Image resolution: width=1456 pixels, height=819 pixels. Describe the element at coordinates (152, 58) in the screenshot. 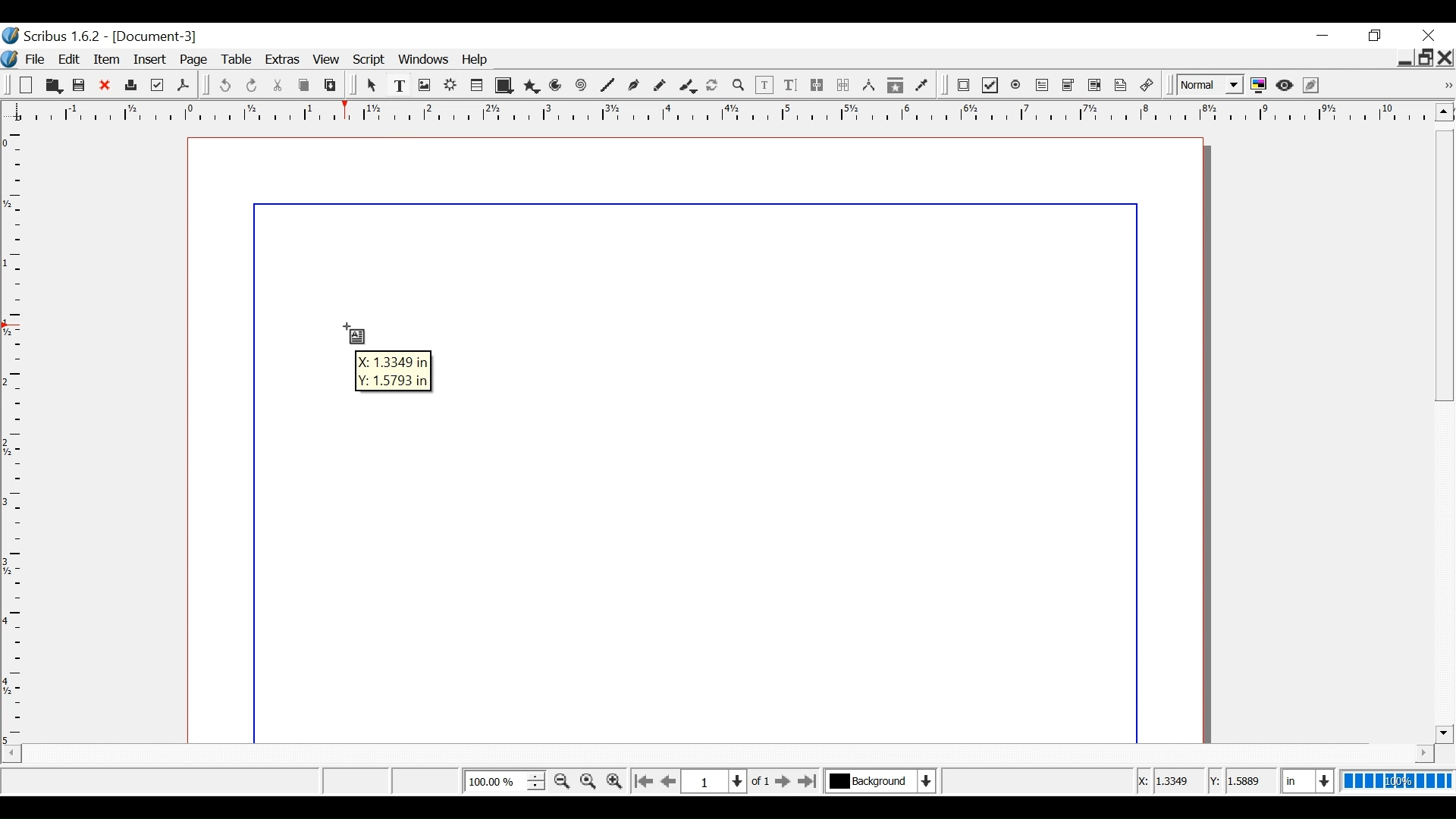

I see `Insert` at that location.